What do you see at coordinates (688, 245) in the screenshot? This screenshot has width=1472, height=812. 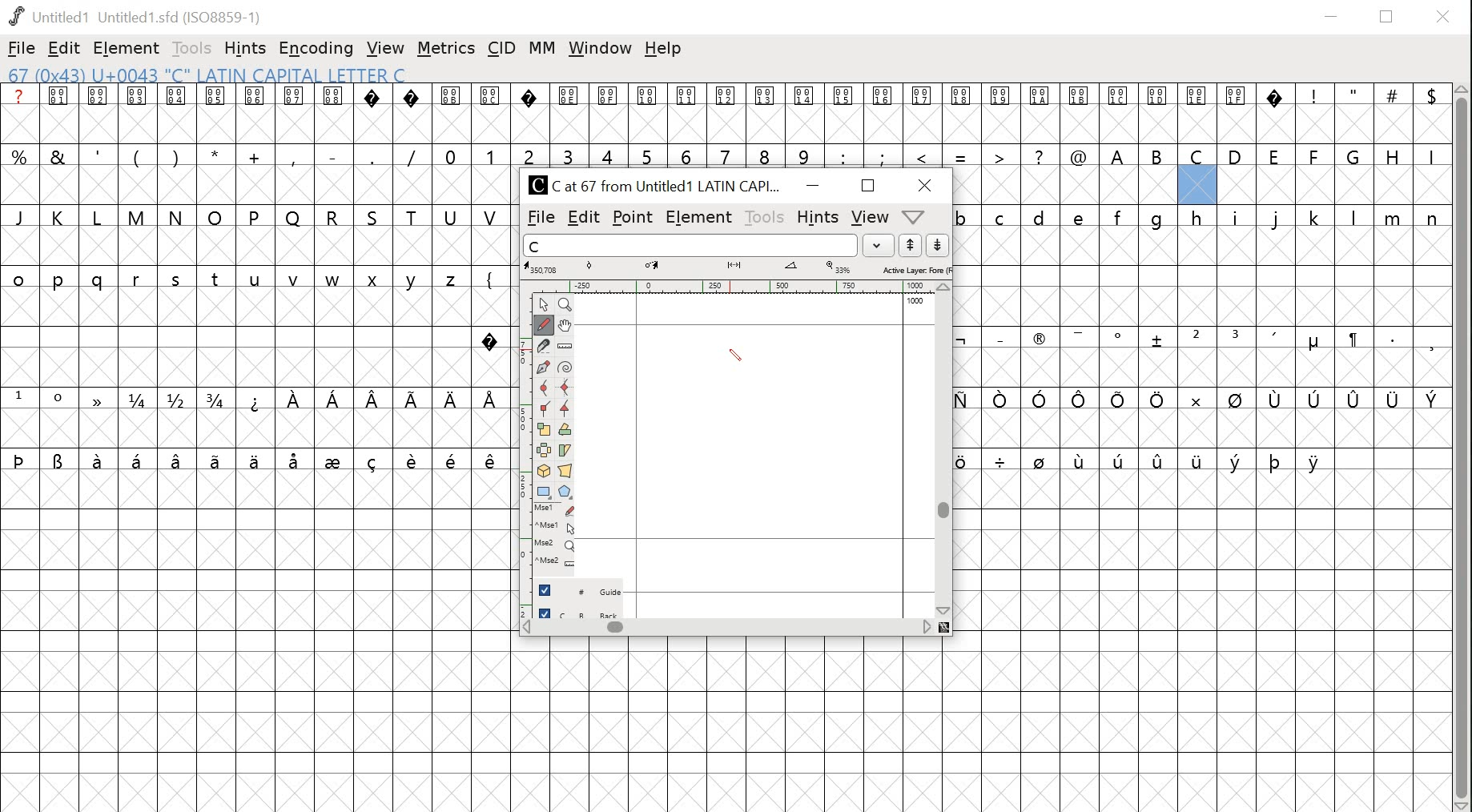 I see `word list input field` at bounding box center [688, 245].